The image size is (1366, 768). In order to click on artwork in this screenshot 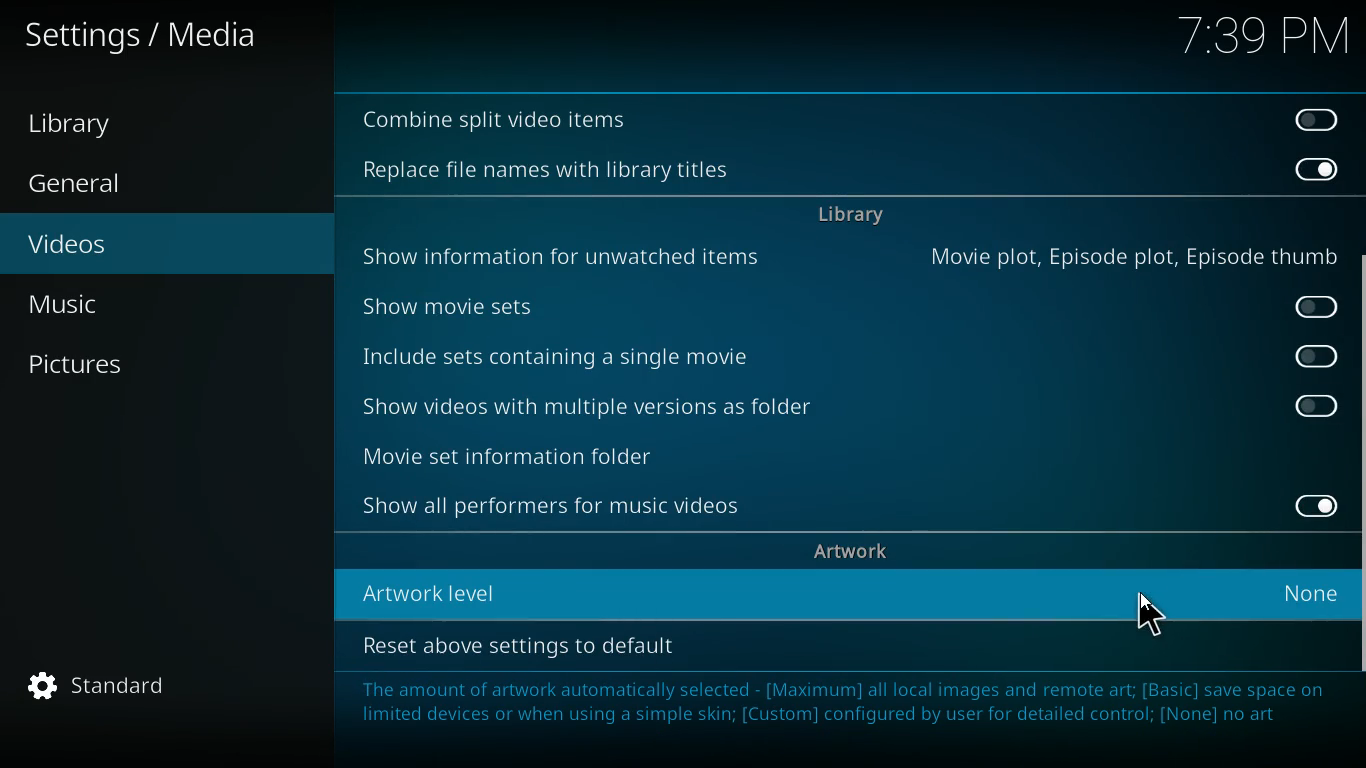, I will do `click(854, 552)`.